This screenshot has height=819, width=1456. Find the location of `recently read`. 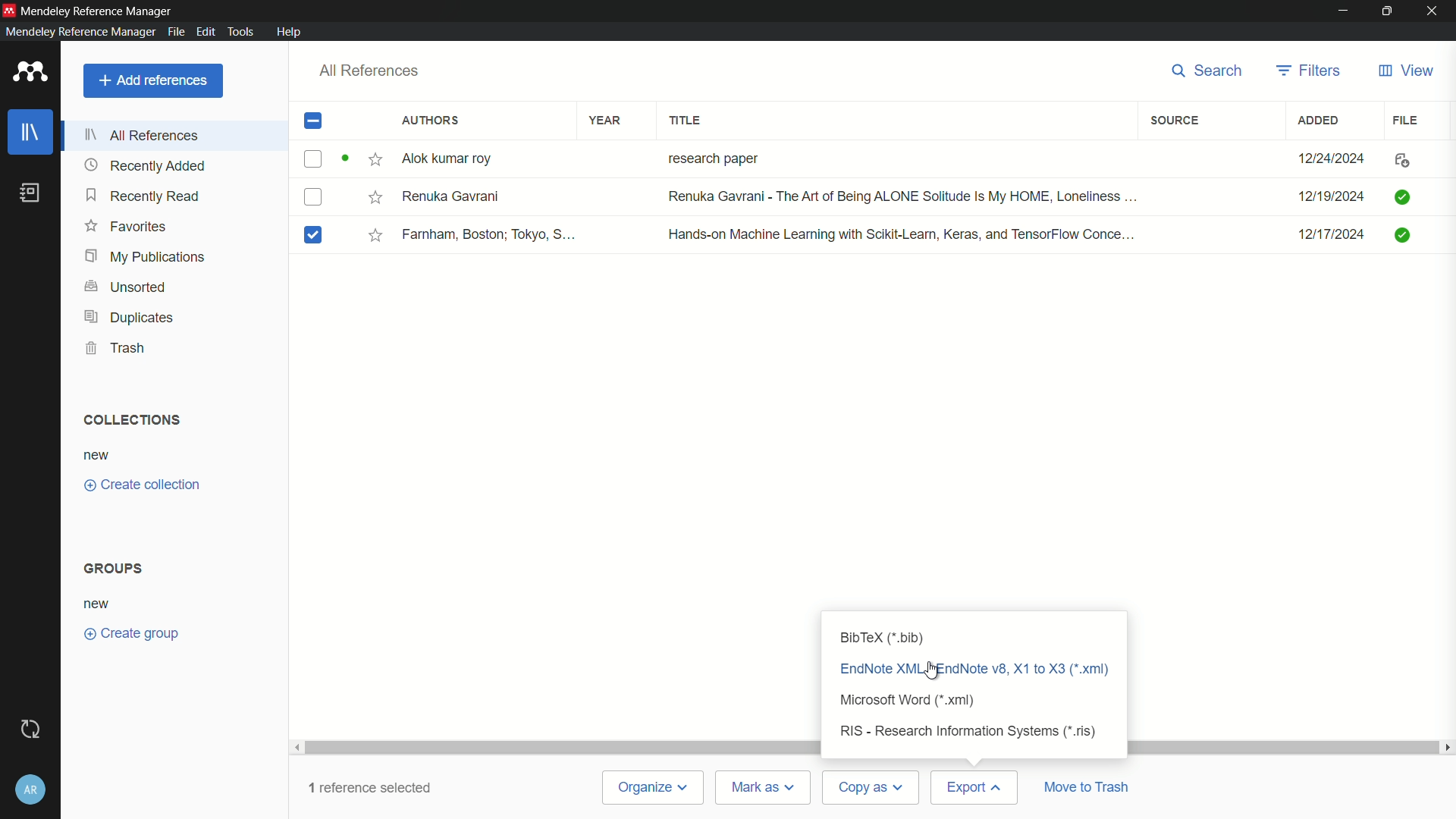

recently read is located at coordinates (143, 195).